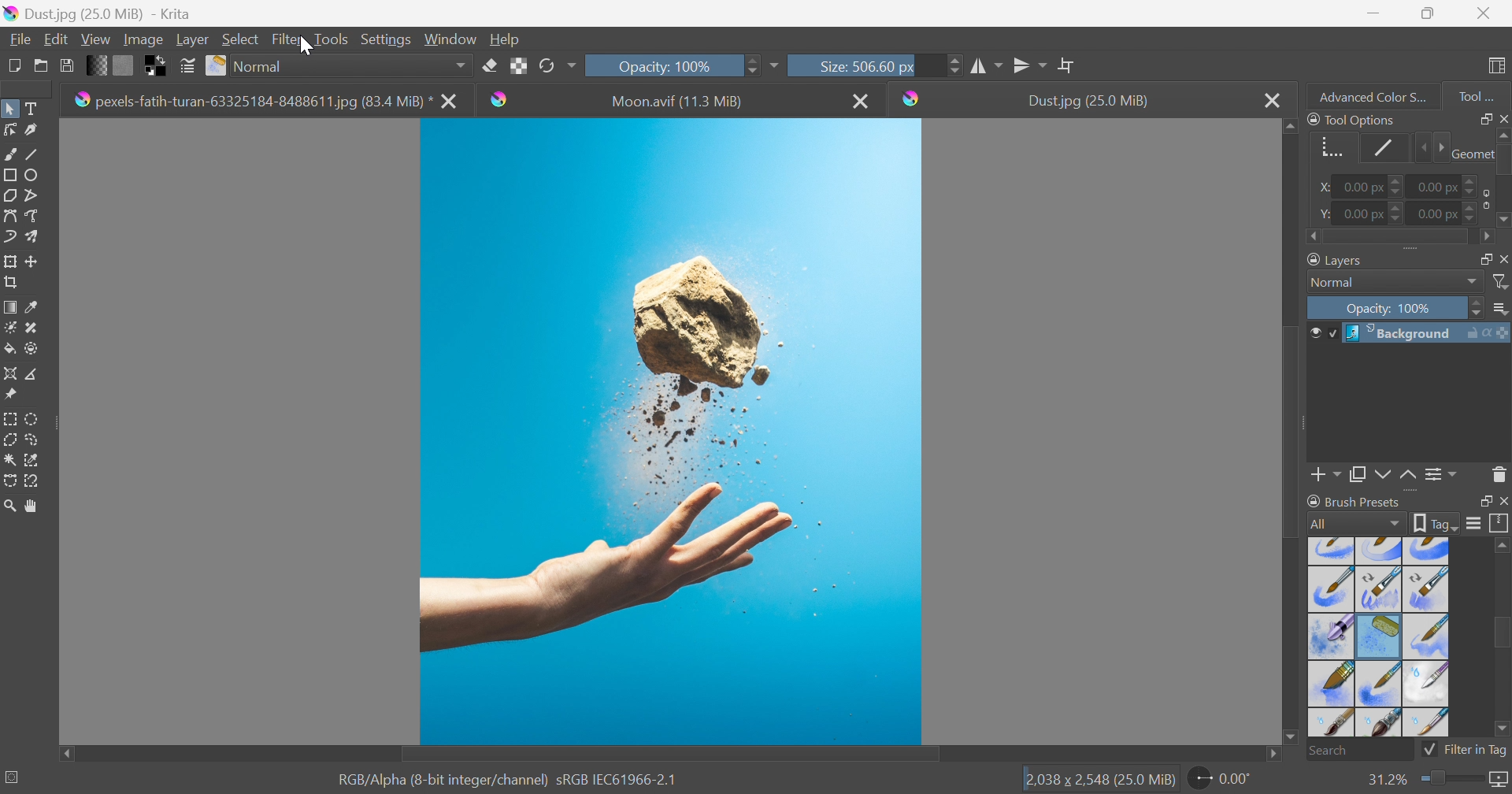 Image resolution: width=1512 pixels, height=794 pixels. I want to click on 31.2%, so click(1385, 779).